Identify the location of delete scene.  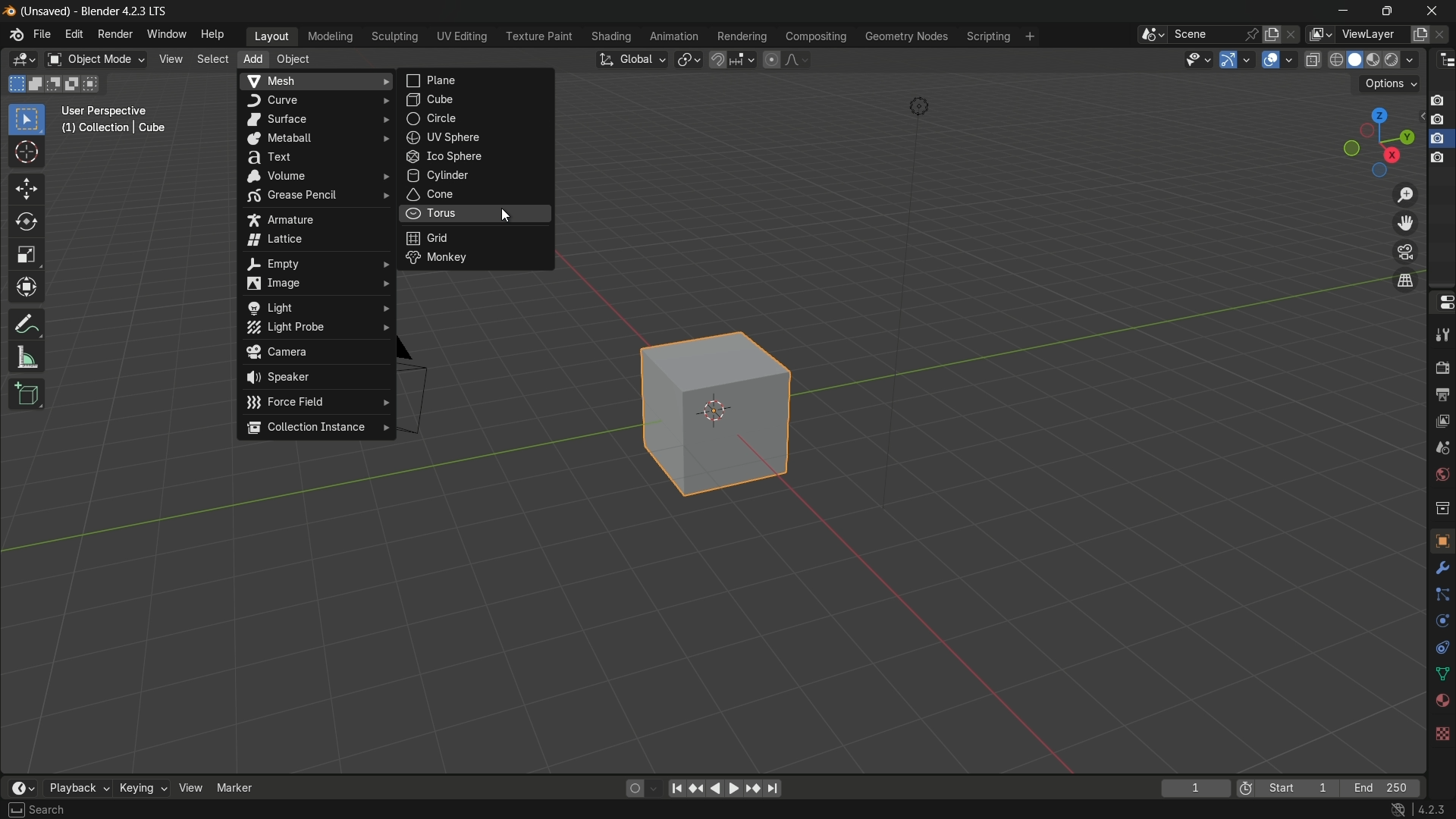
(1293, 34).